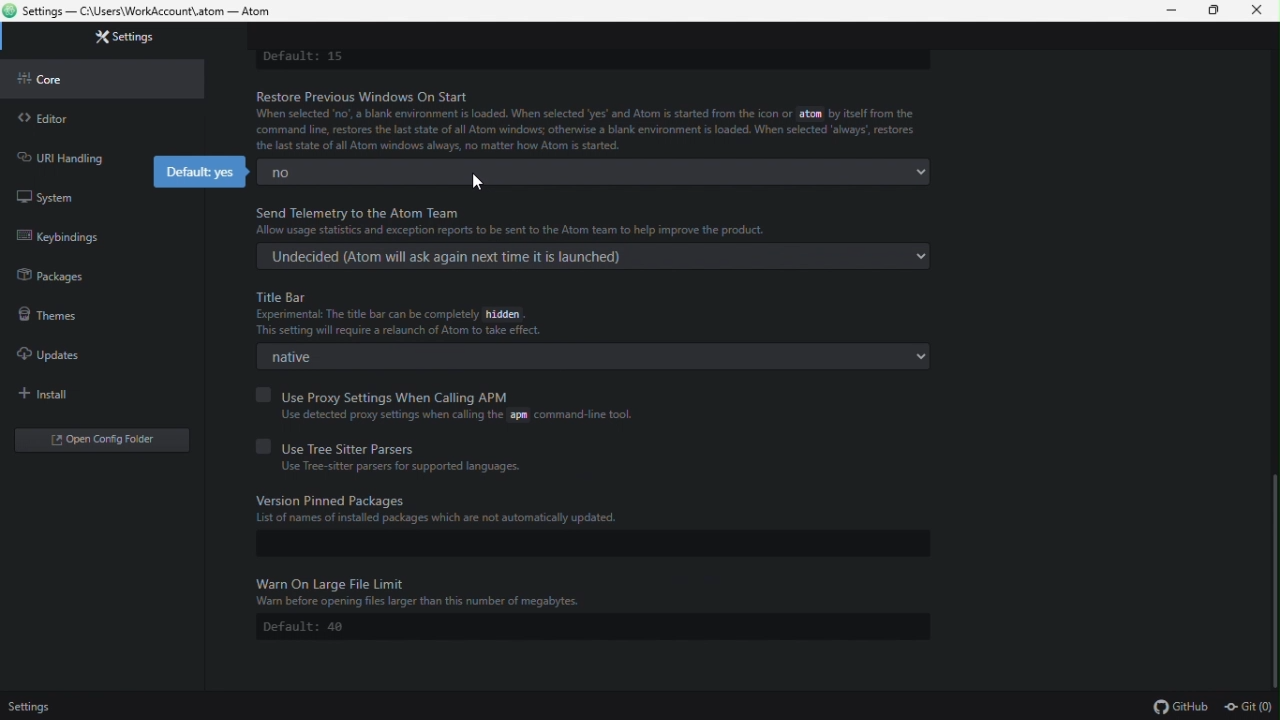  I want to click on cursor, so click(472, 182).